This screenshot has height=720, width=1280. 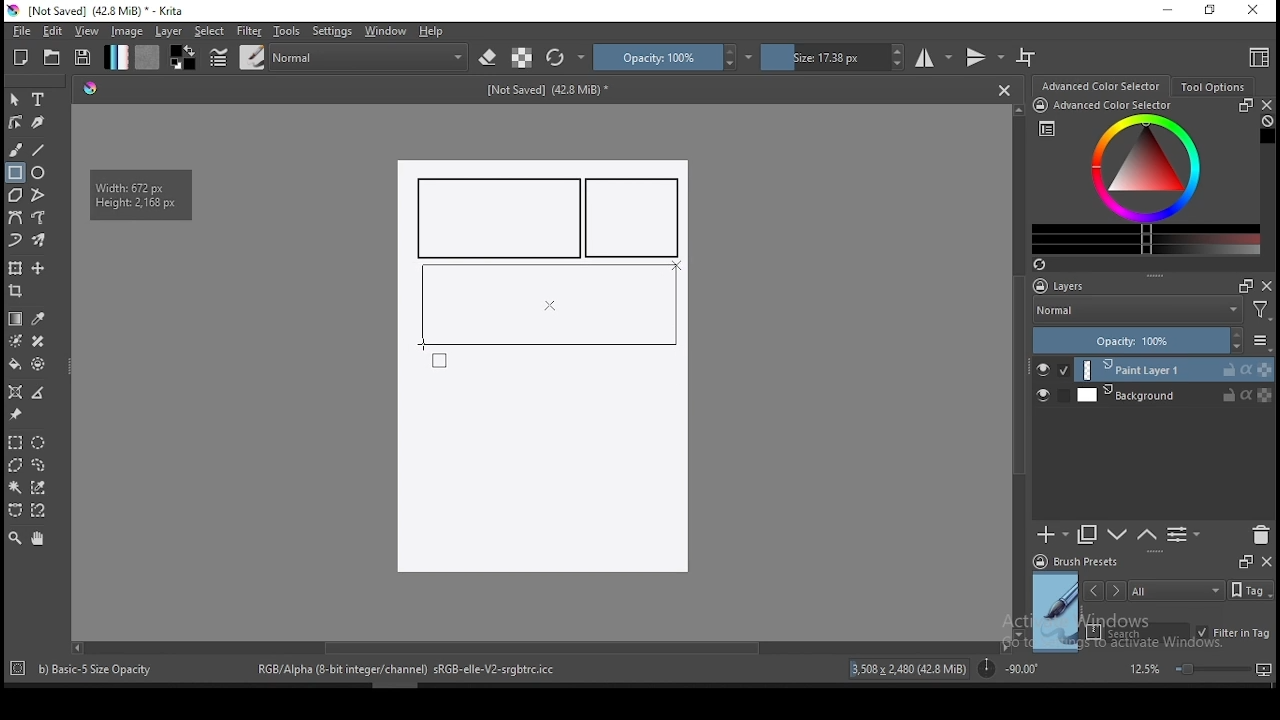 What do you see at coordinates (370, 57) in the screenshot?
I see `blending mode` at bounding box center [370, 57].